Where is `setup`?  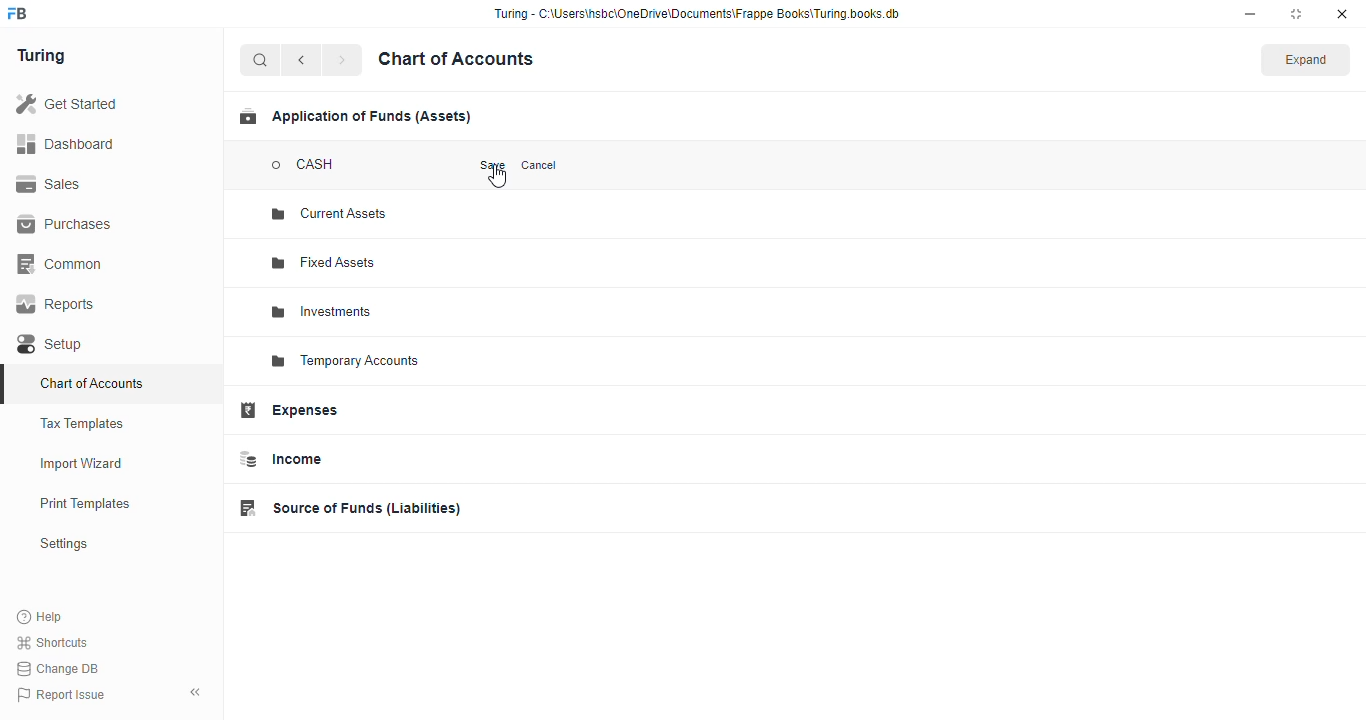
setup is located at coordinates (52, 344).